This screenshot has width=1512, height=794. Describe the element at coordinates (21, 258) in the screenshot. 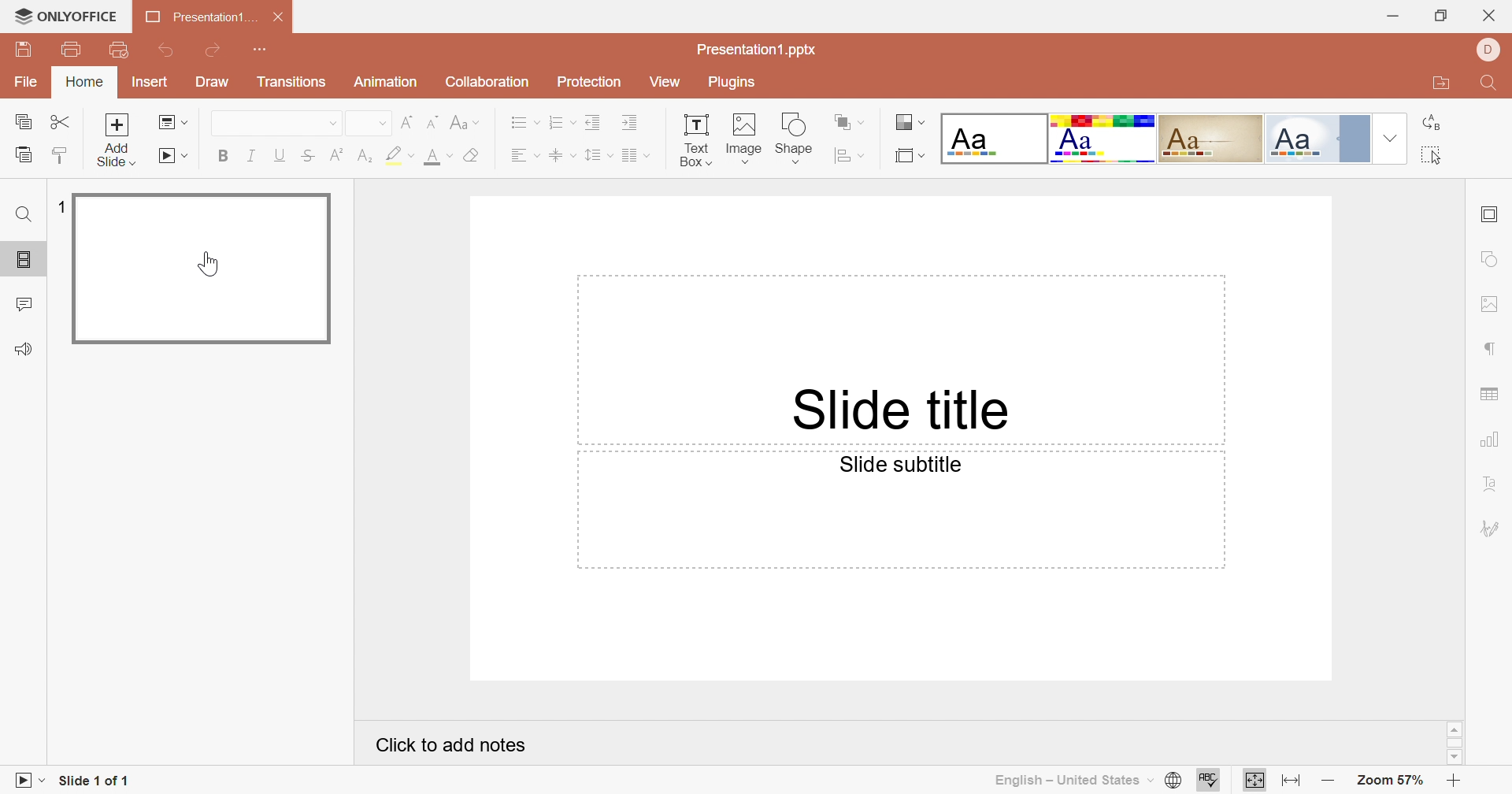

I see `Slides` at that location.